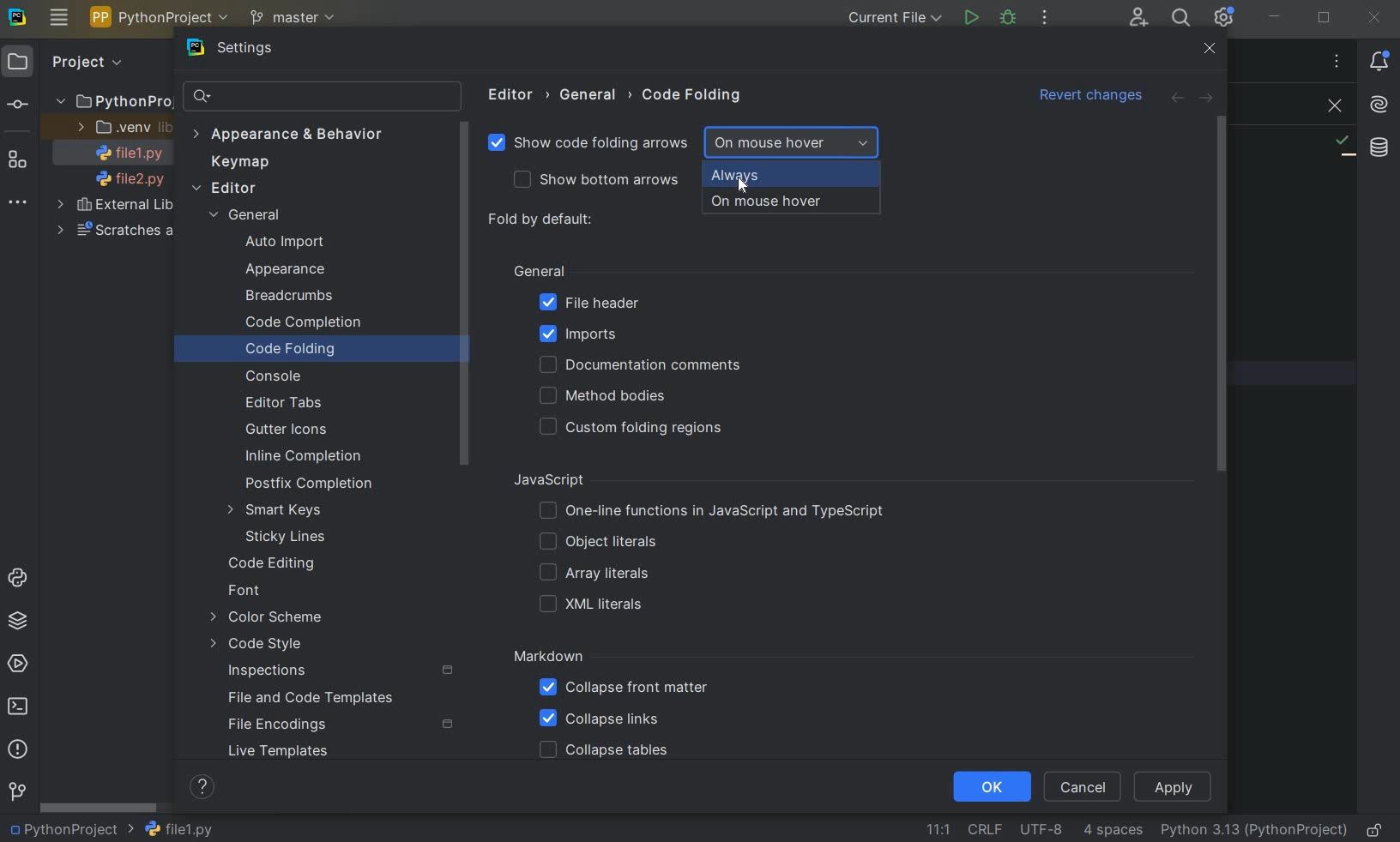 This screenshot has height=842, width=1400. I want to click on COLLAPSE TABLES, so click(603, 751).